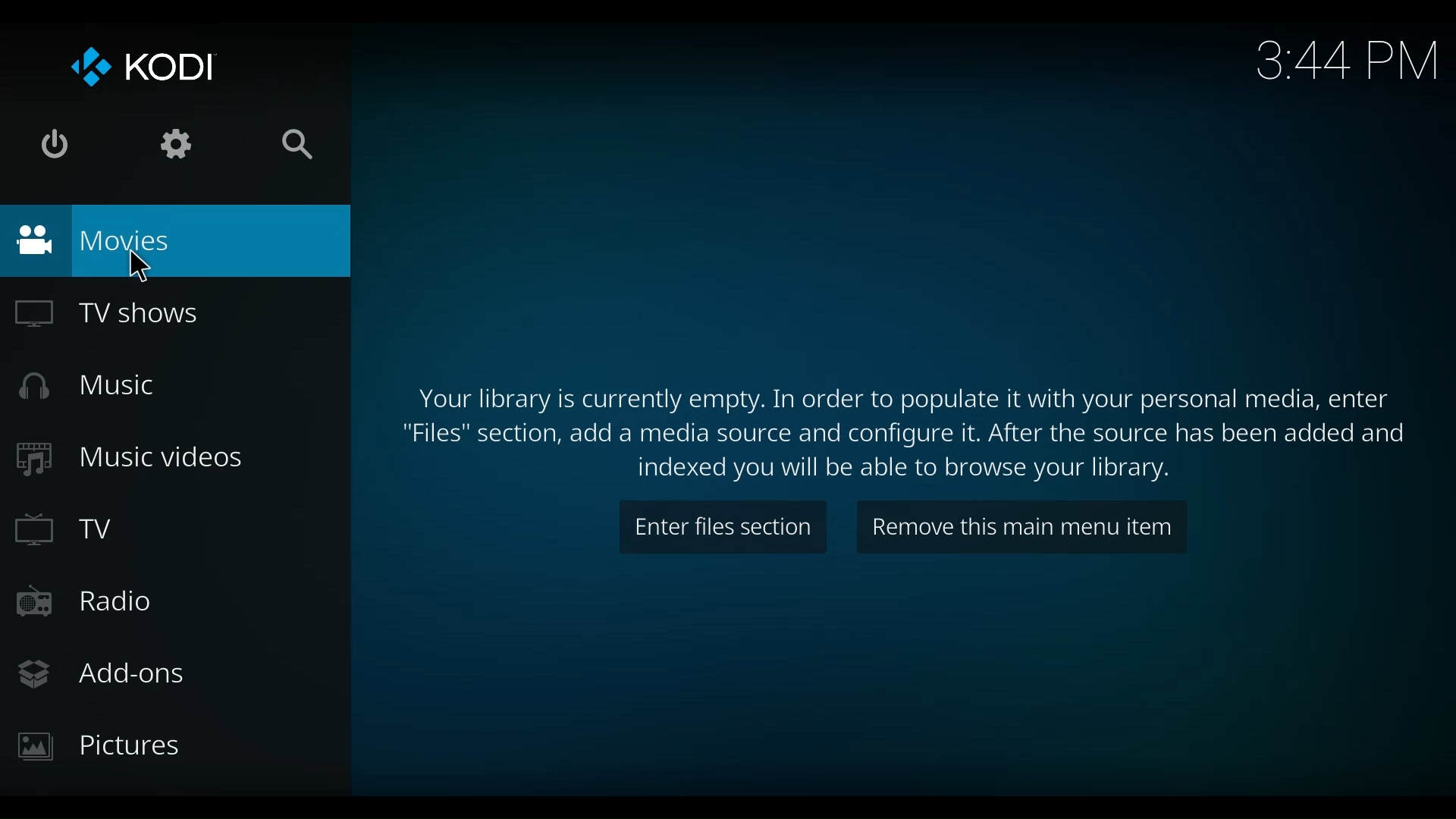  Describe the element at coordinates (905, 471) in the screenshot. I see `Indexed you will be able to browse your library` at that location.